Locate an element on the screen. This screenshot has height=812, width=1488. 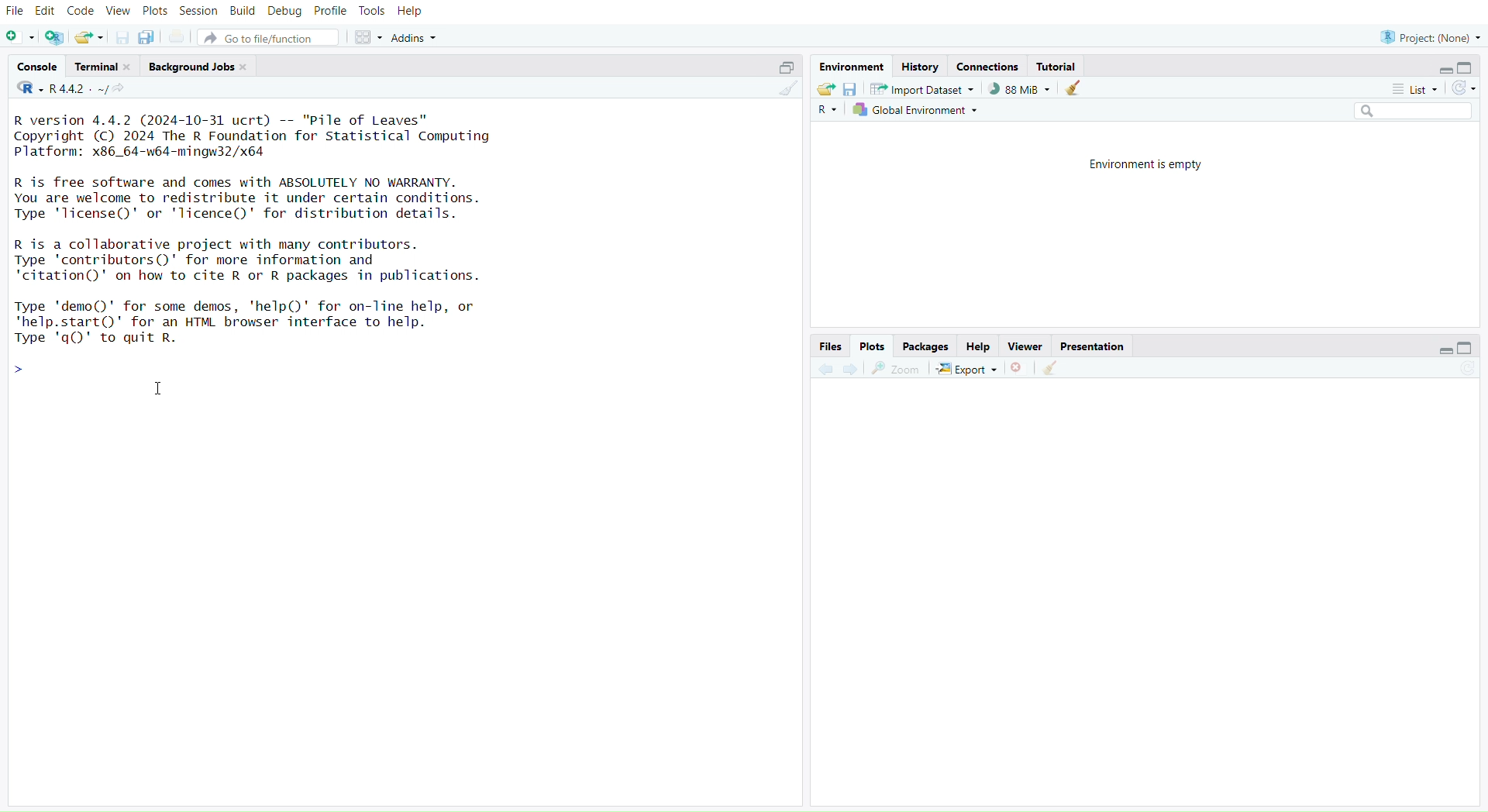
environment is located at coordinates (849, 67).